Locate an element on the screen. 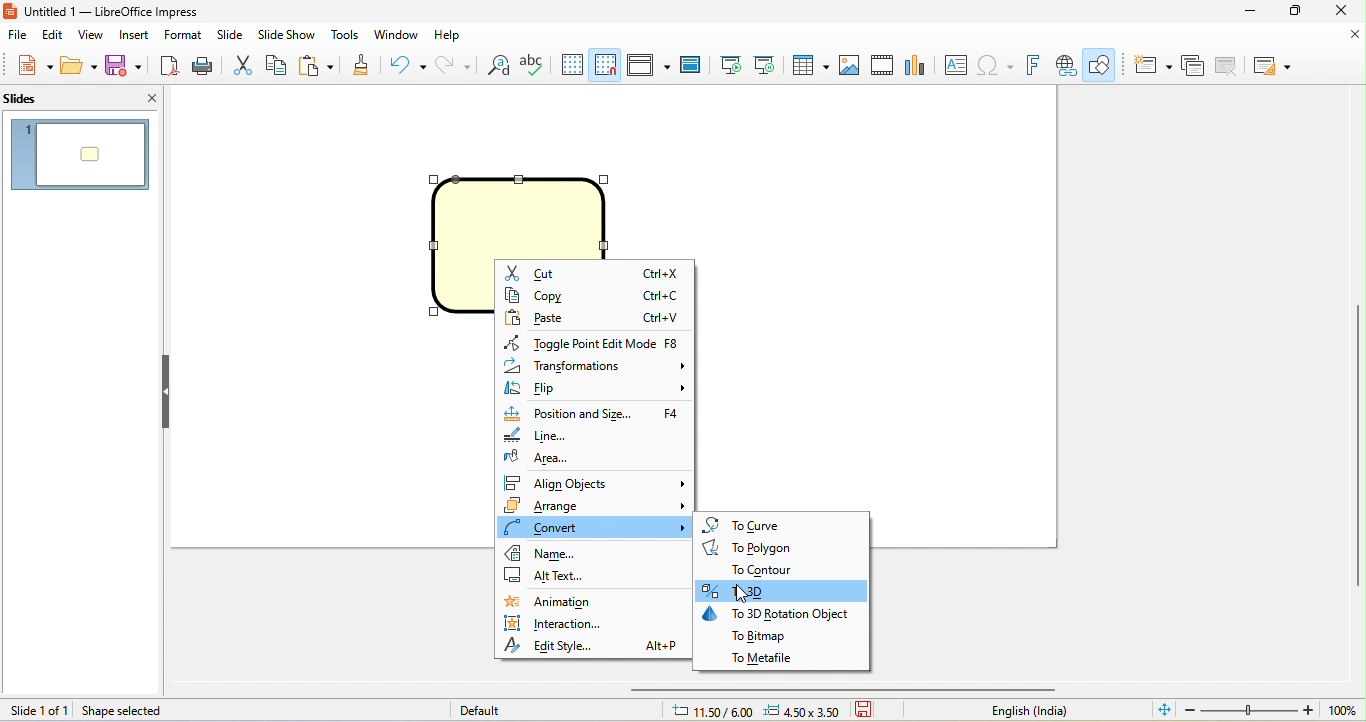  edit is located at coordinates (54, 34).